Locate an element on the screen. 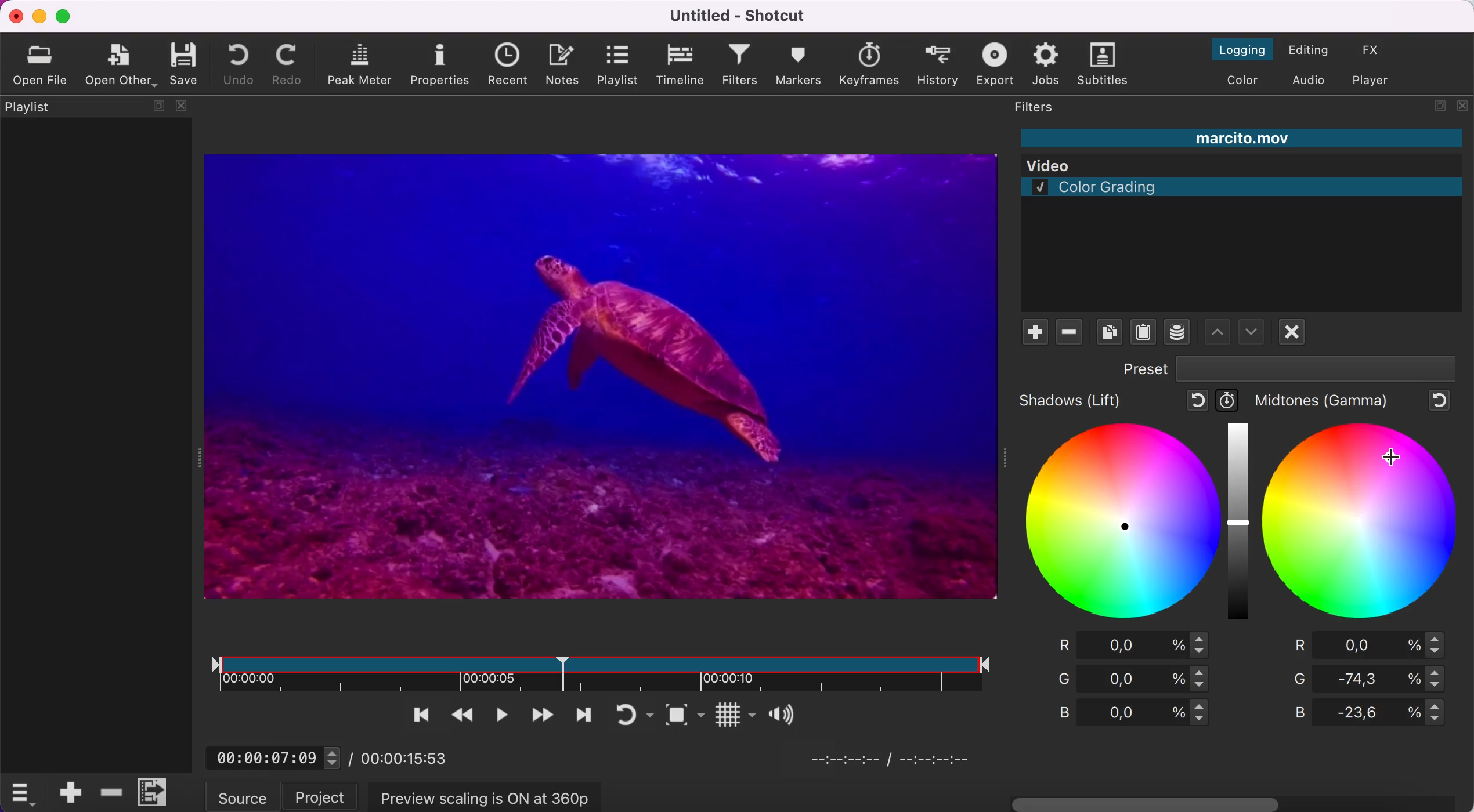 This screenshot has height=812, width=1474. switch to the color layout is located at coordinates (1243, 82).